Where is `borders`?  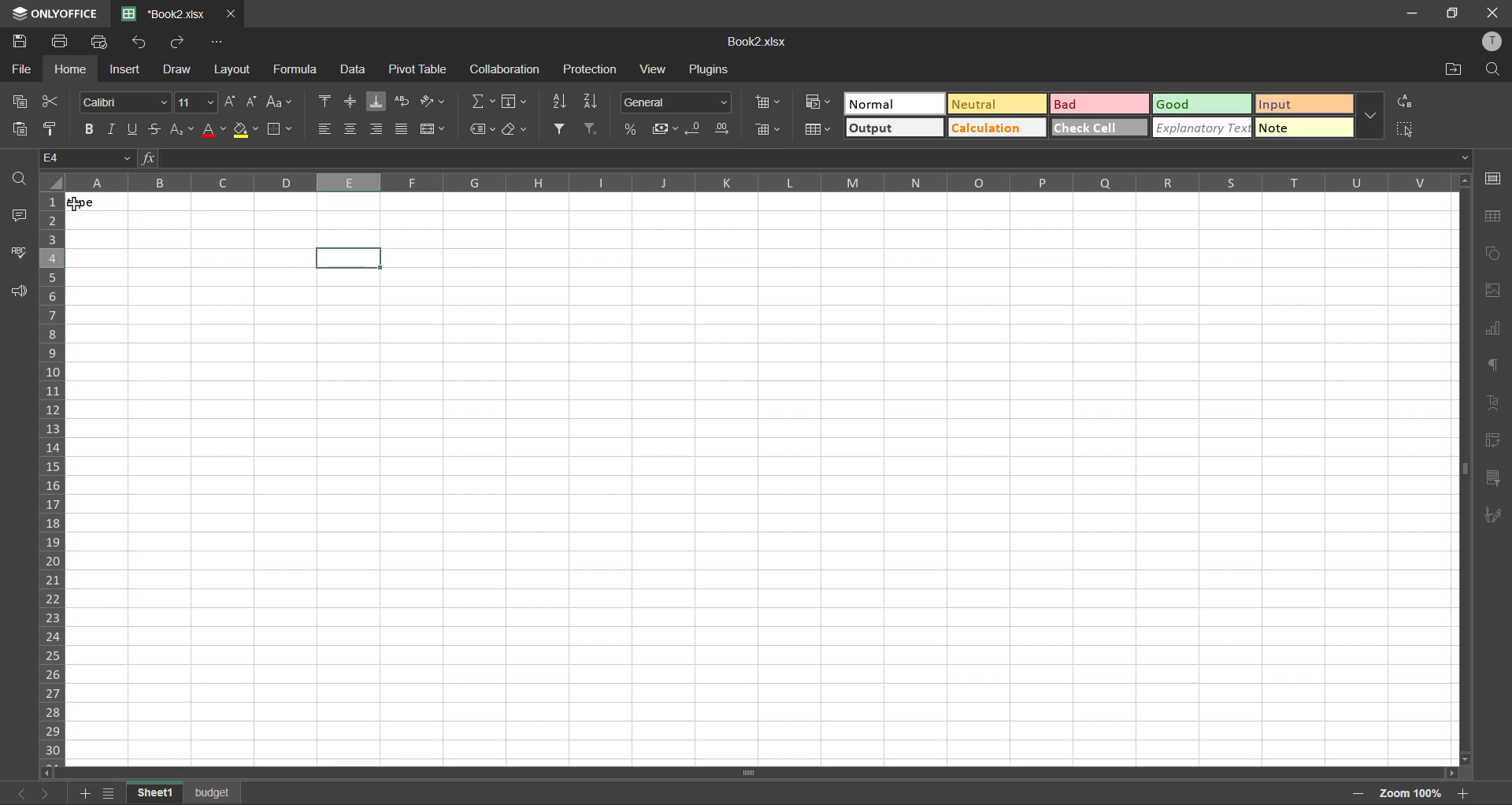
borders is located at coordinates (279, 129).